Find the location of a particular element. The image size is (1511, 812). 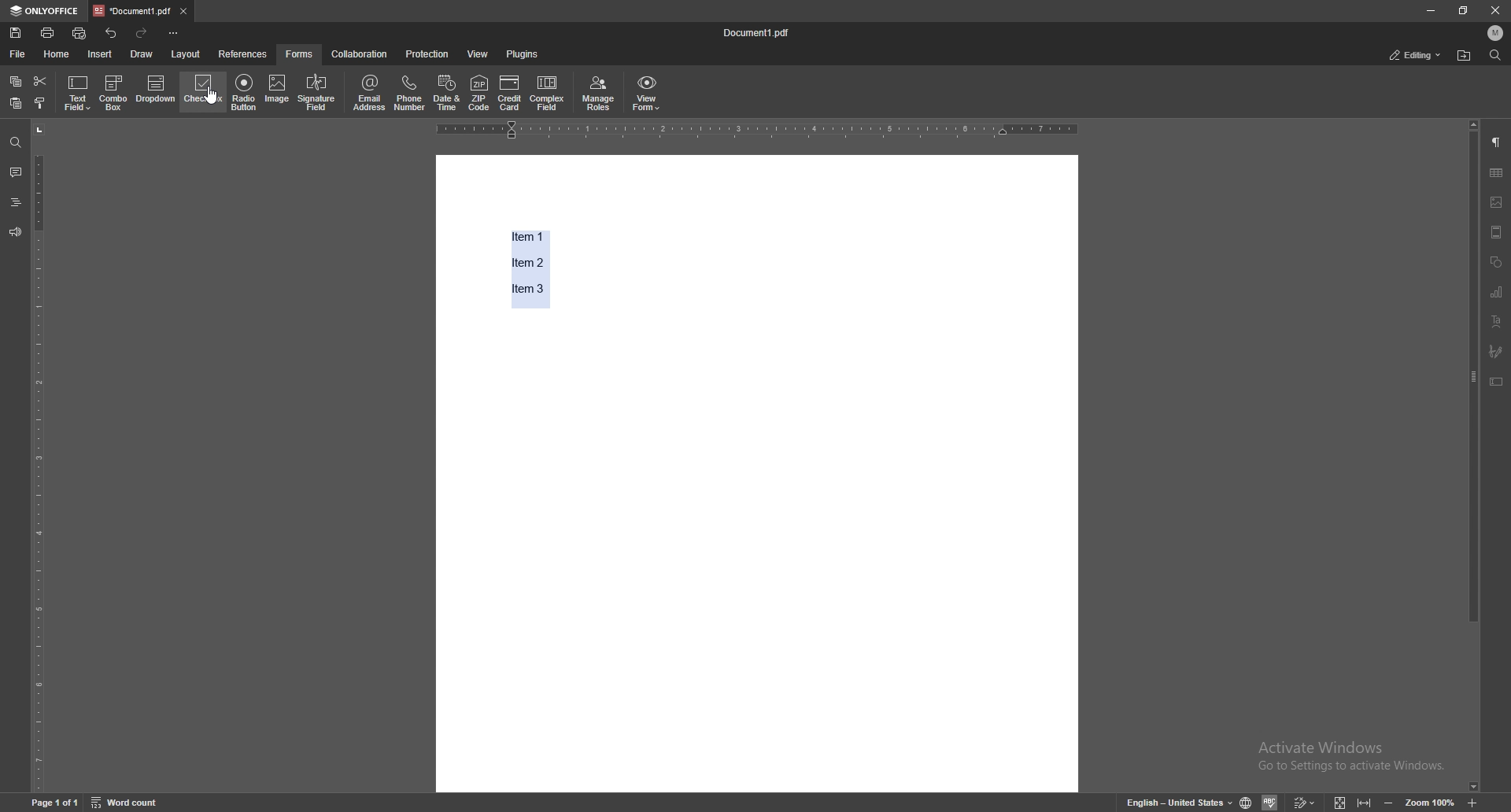

cut is located at coordinates (41, 82).